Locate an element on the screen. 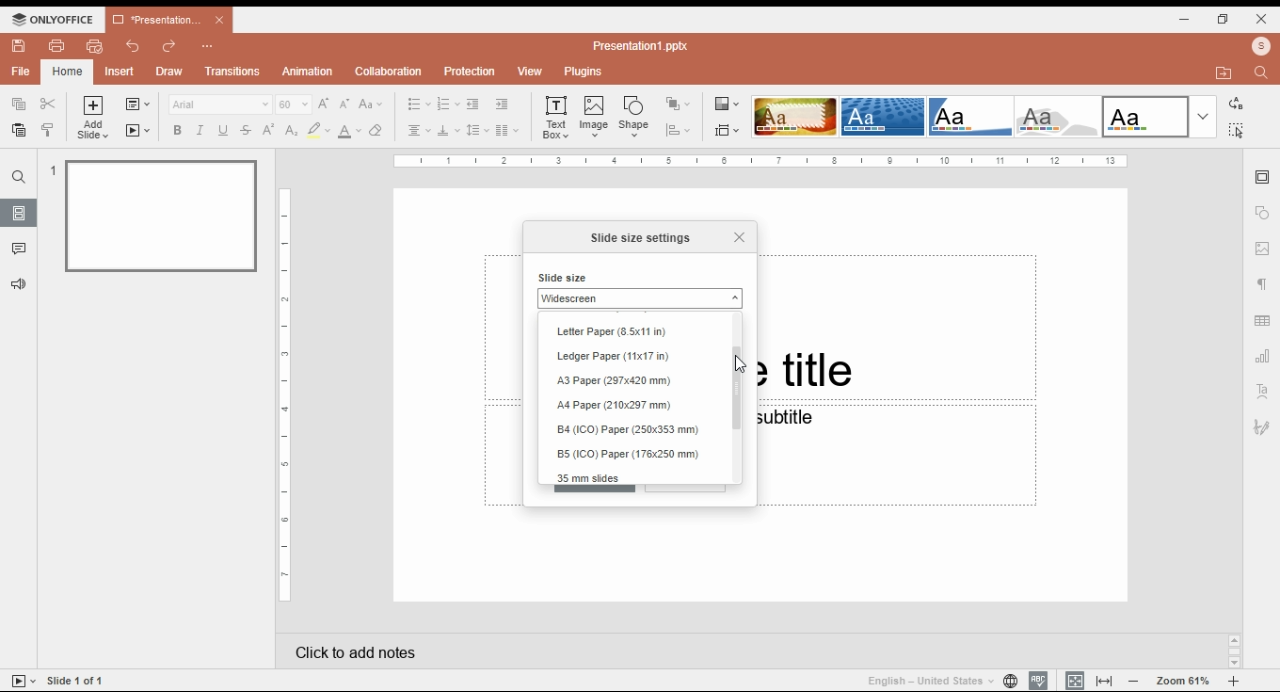 This screenshot has height=692, width=1280. comments is located at coordinates (19, 249).